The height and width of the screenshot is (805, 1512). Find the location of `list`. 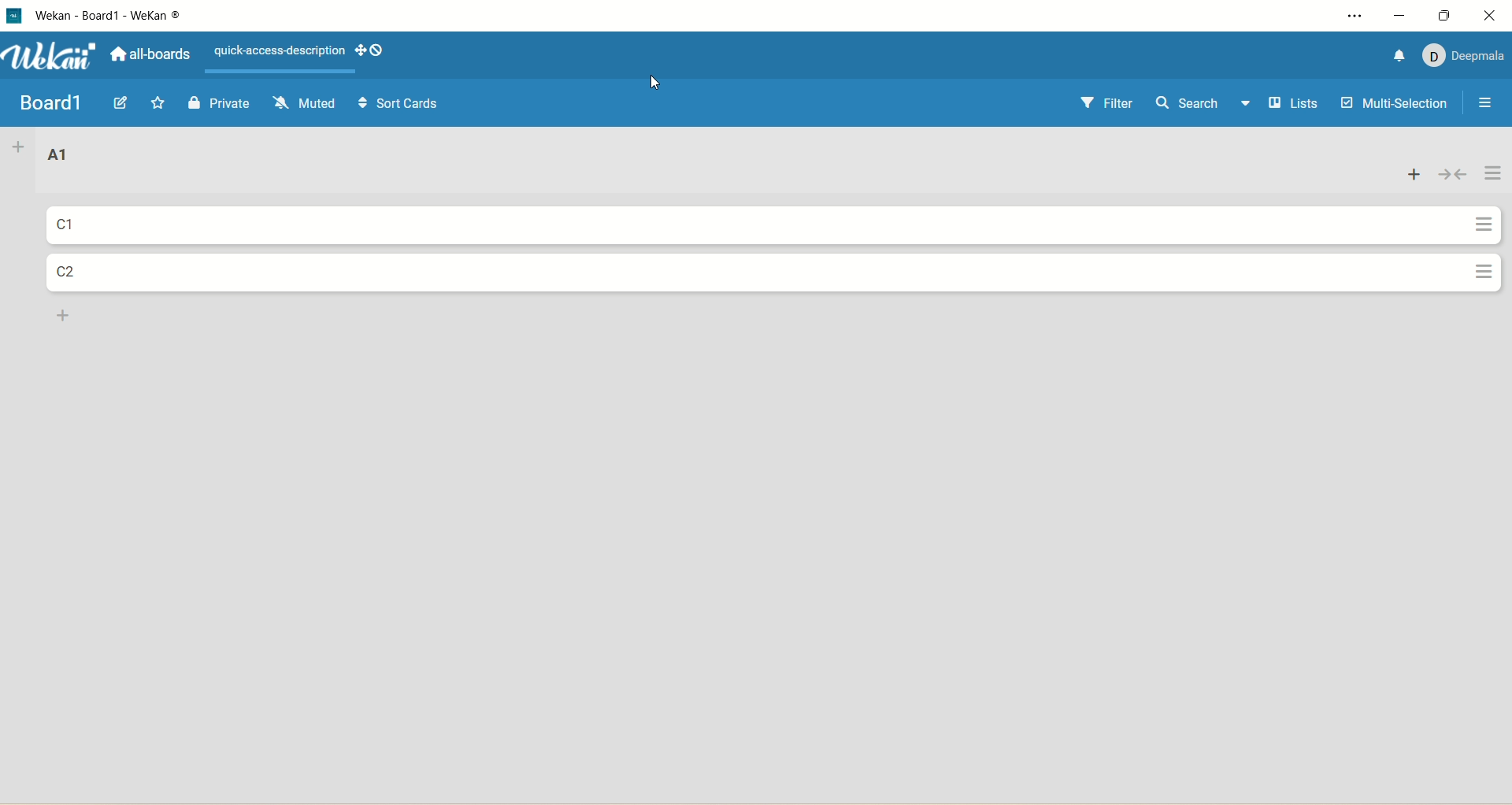

list is located at coordinates (55, 155).